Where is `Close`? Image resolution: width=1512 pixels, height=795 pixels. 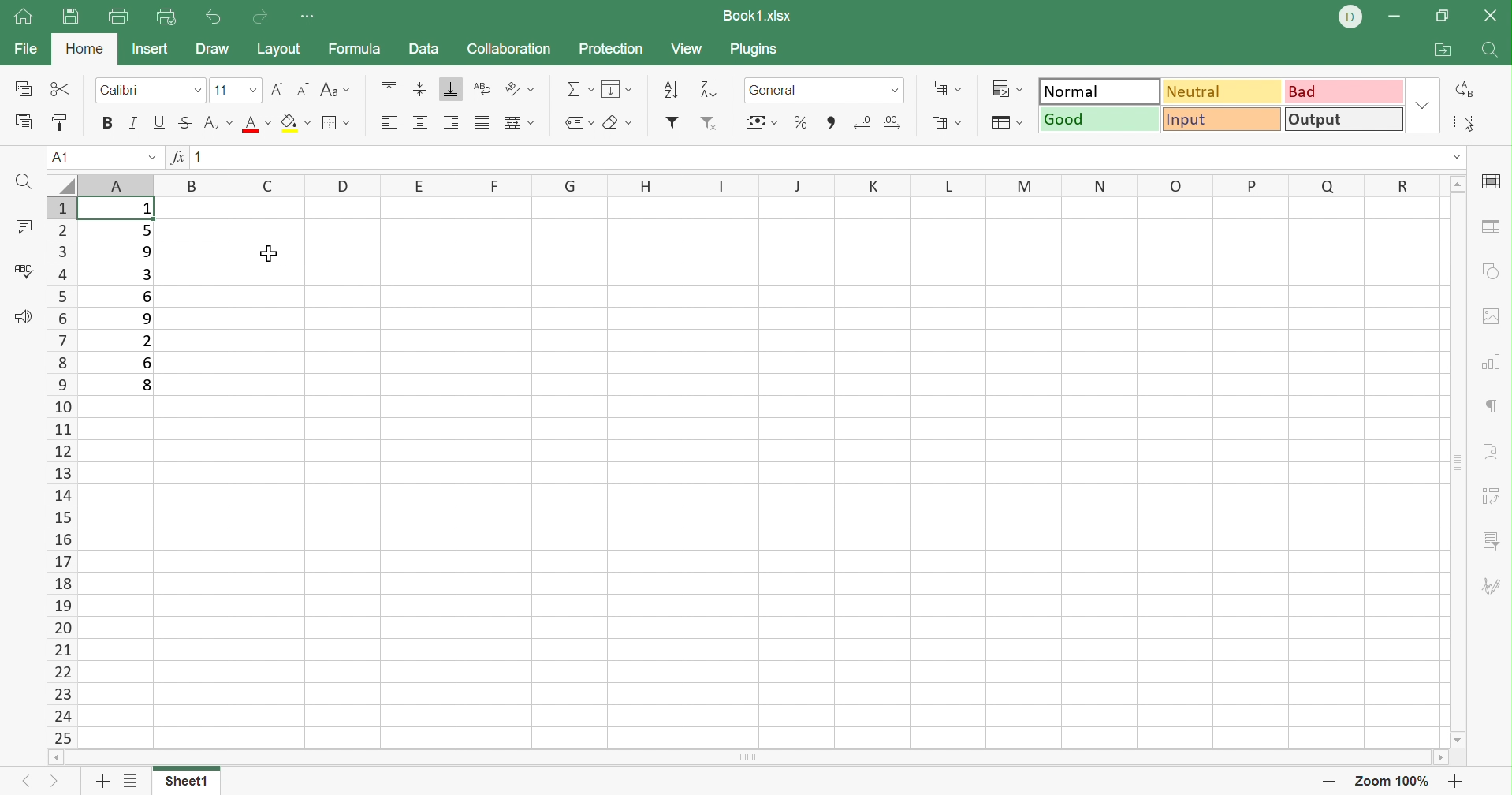 Close is located at coordinates (1492, 17).